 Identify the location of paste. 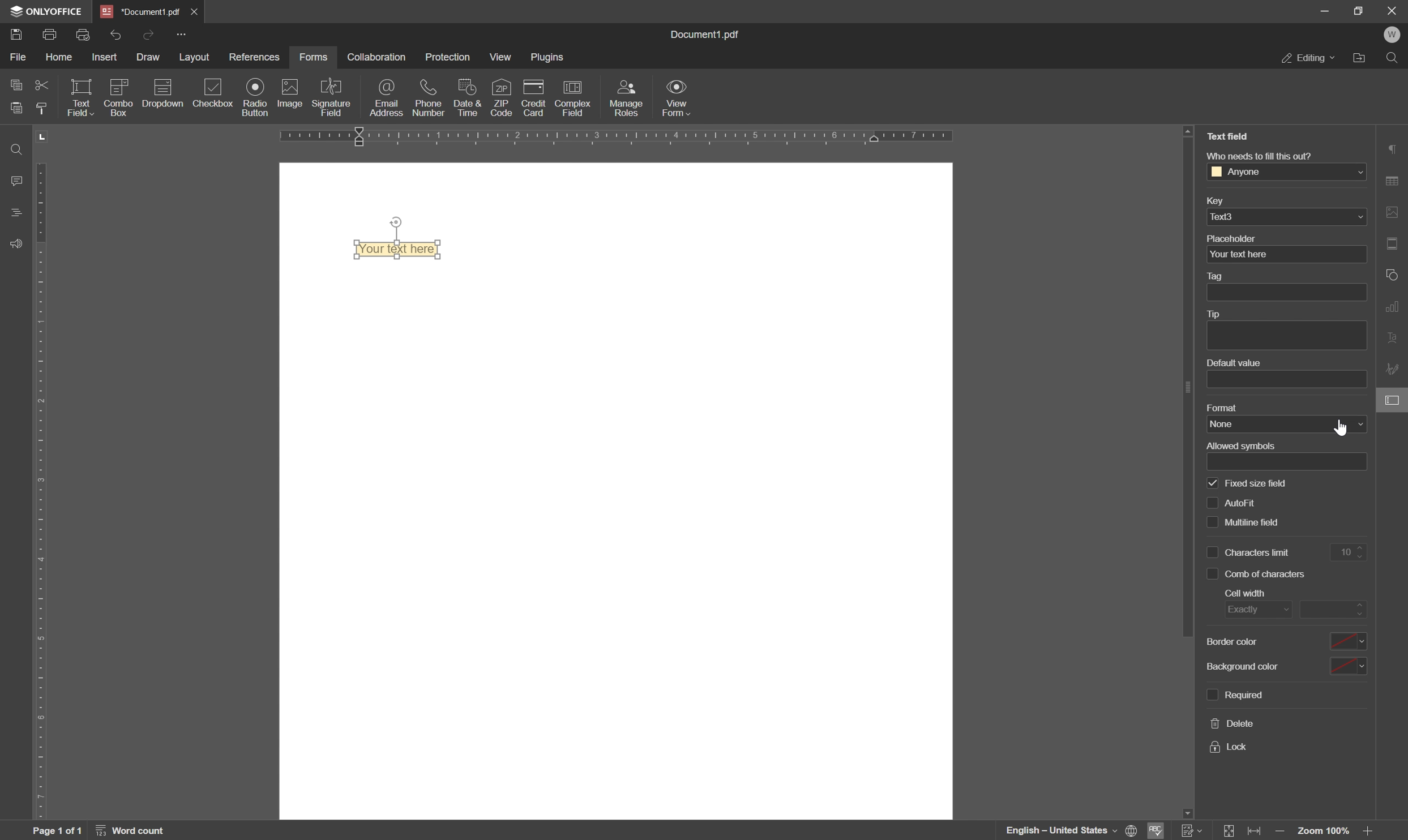
(17, 107).